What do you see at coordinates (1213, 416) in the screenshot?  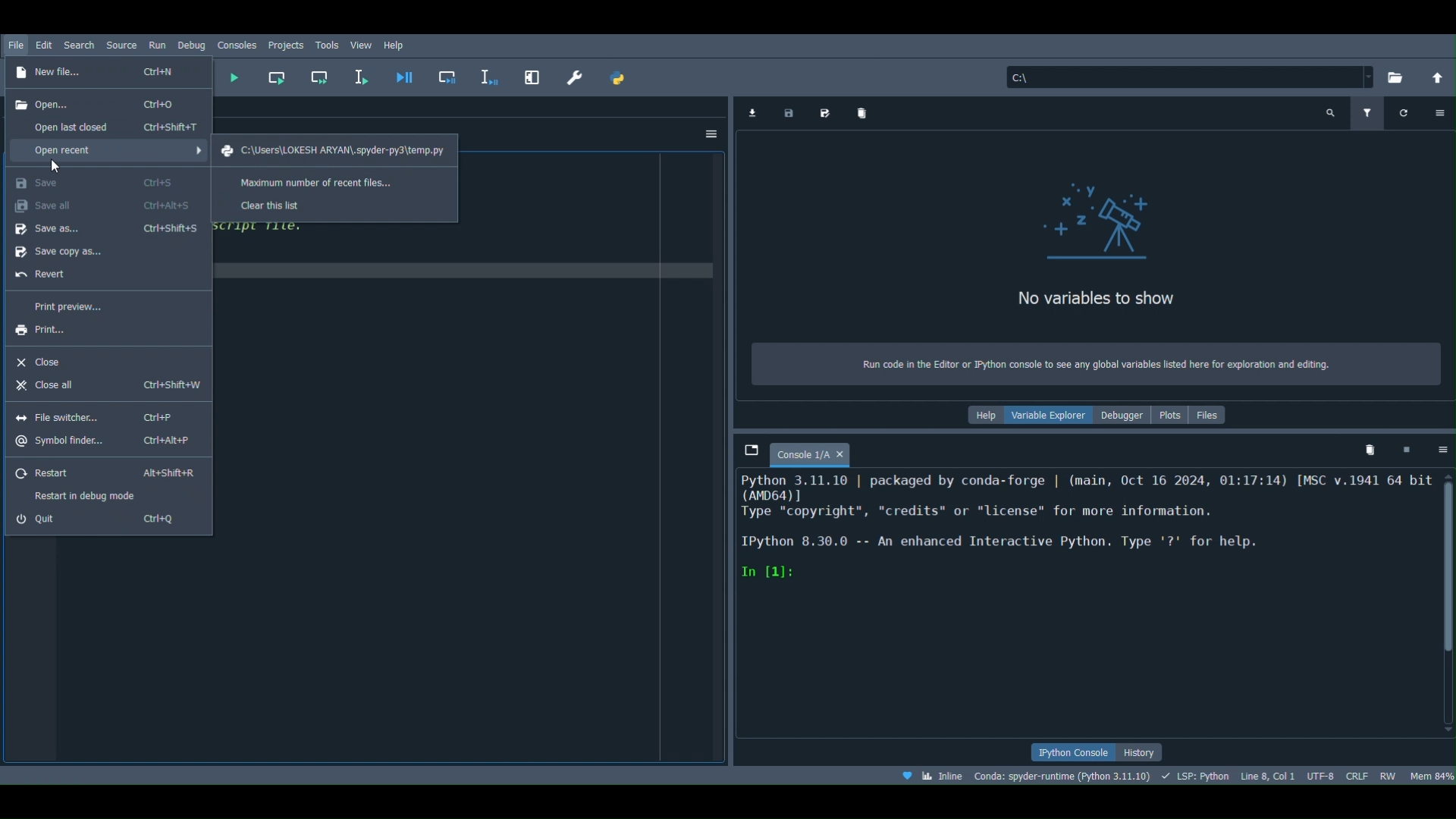 I see `Files` at bounding box center [1213, 416].